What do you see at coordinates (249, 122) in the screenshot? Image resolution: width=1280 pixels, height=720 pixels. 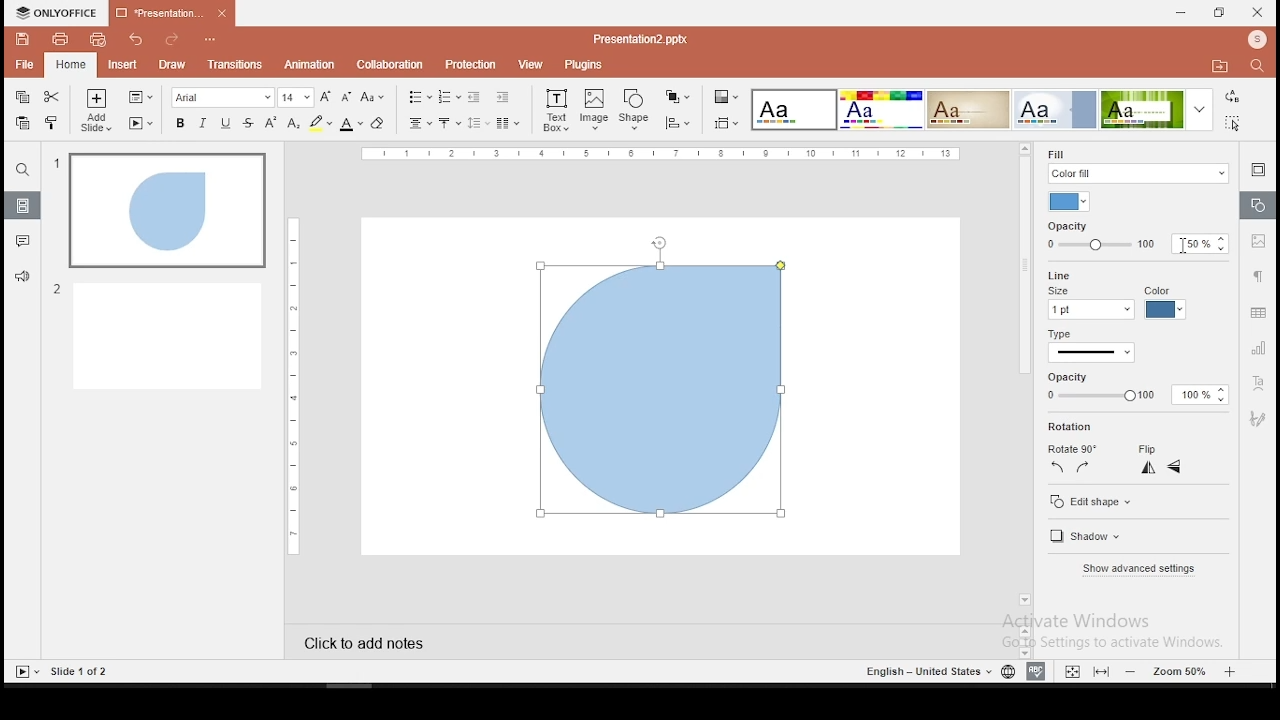 I see `strikethrough` at bounding box center [249, 122].